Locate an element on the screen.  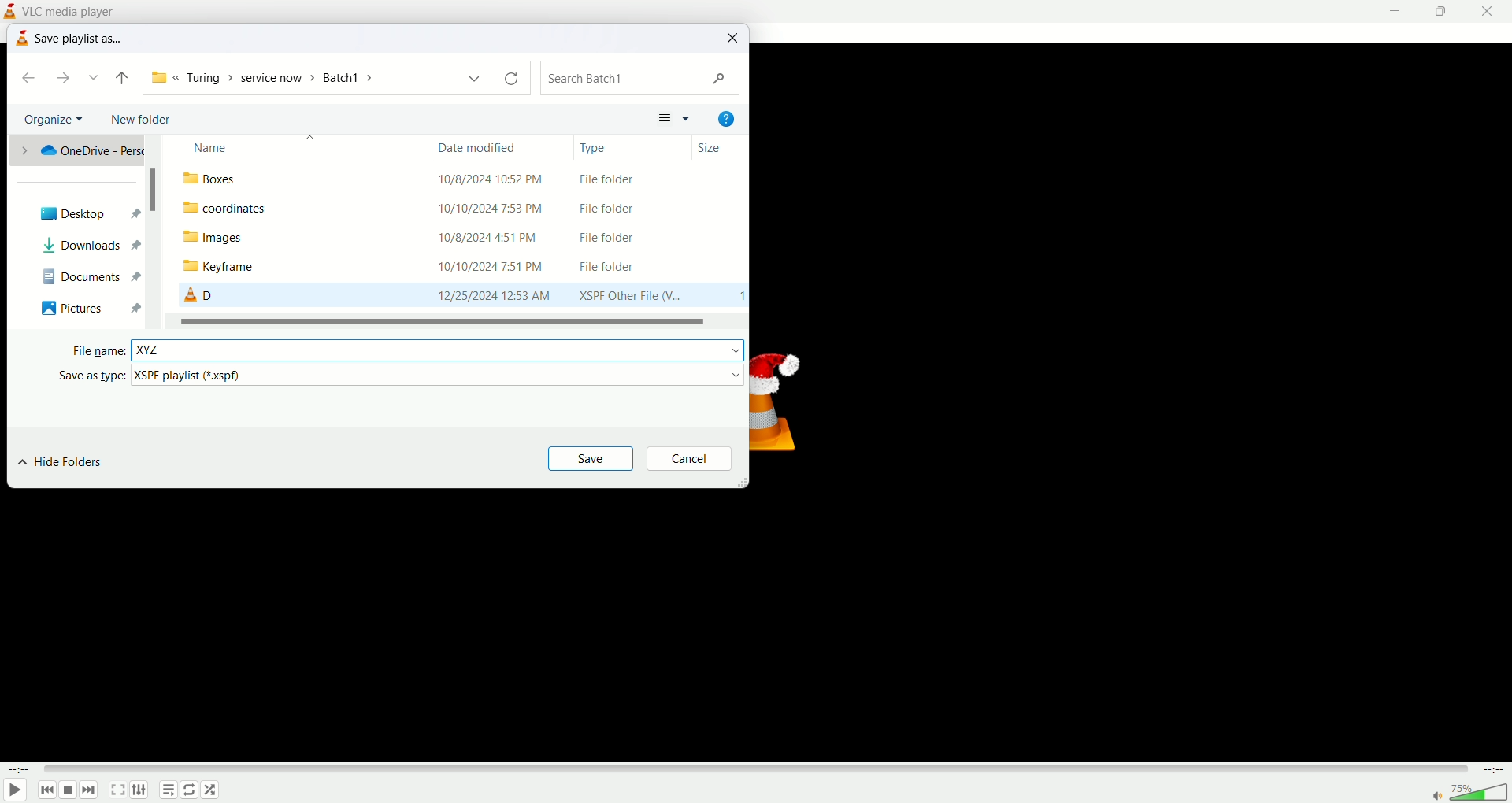
volume bar is located at coordinates (1482, 791).